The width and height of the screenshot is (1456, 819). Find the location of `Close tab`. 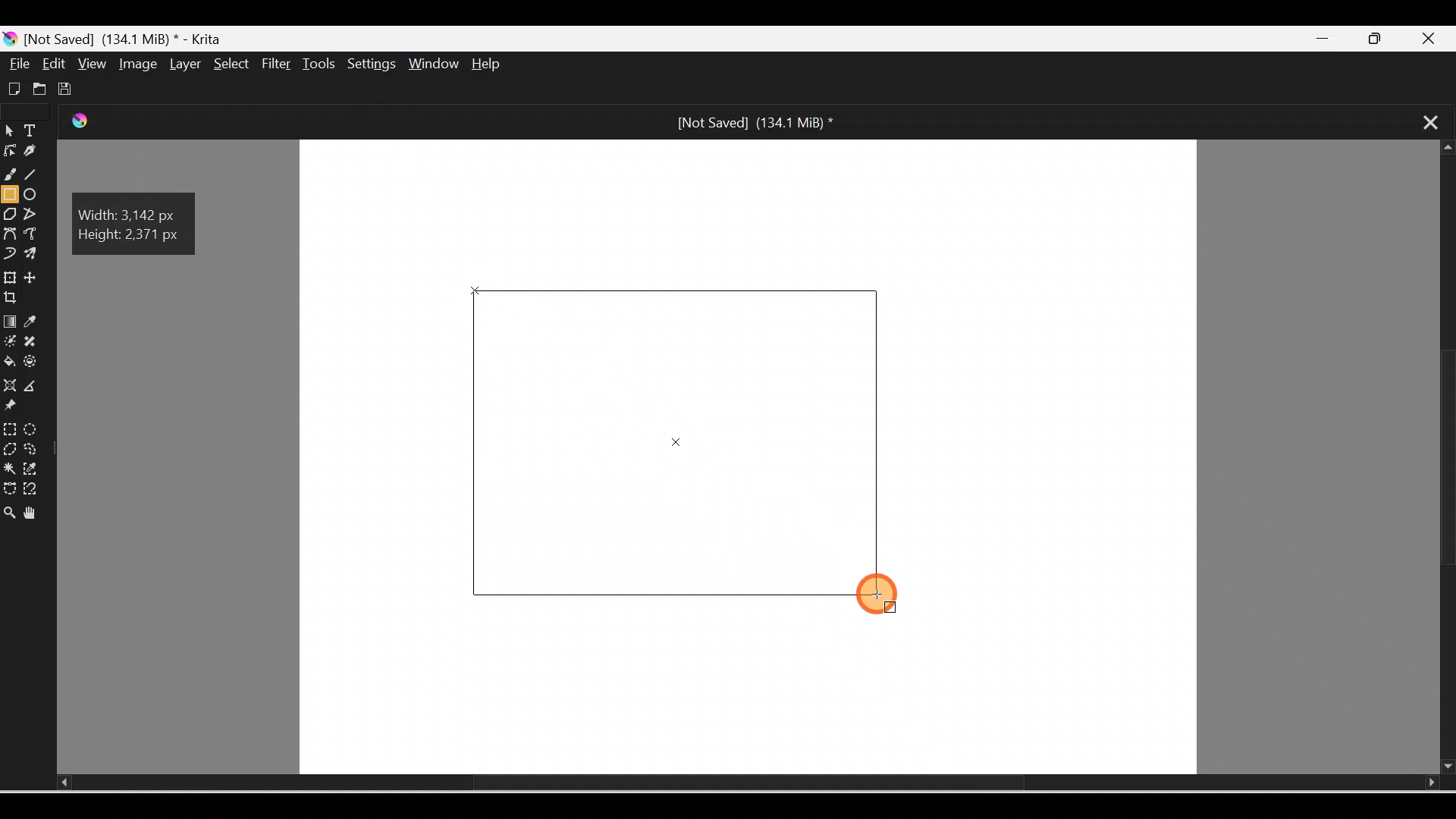

Close tab is located at coordinates (1423, 121).